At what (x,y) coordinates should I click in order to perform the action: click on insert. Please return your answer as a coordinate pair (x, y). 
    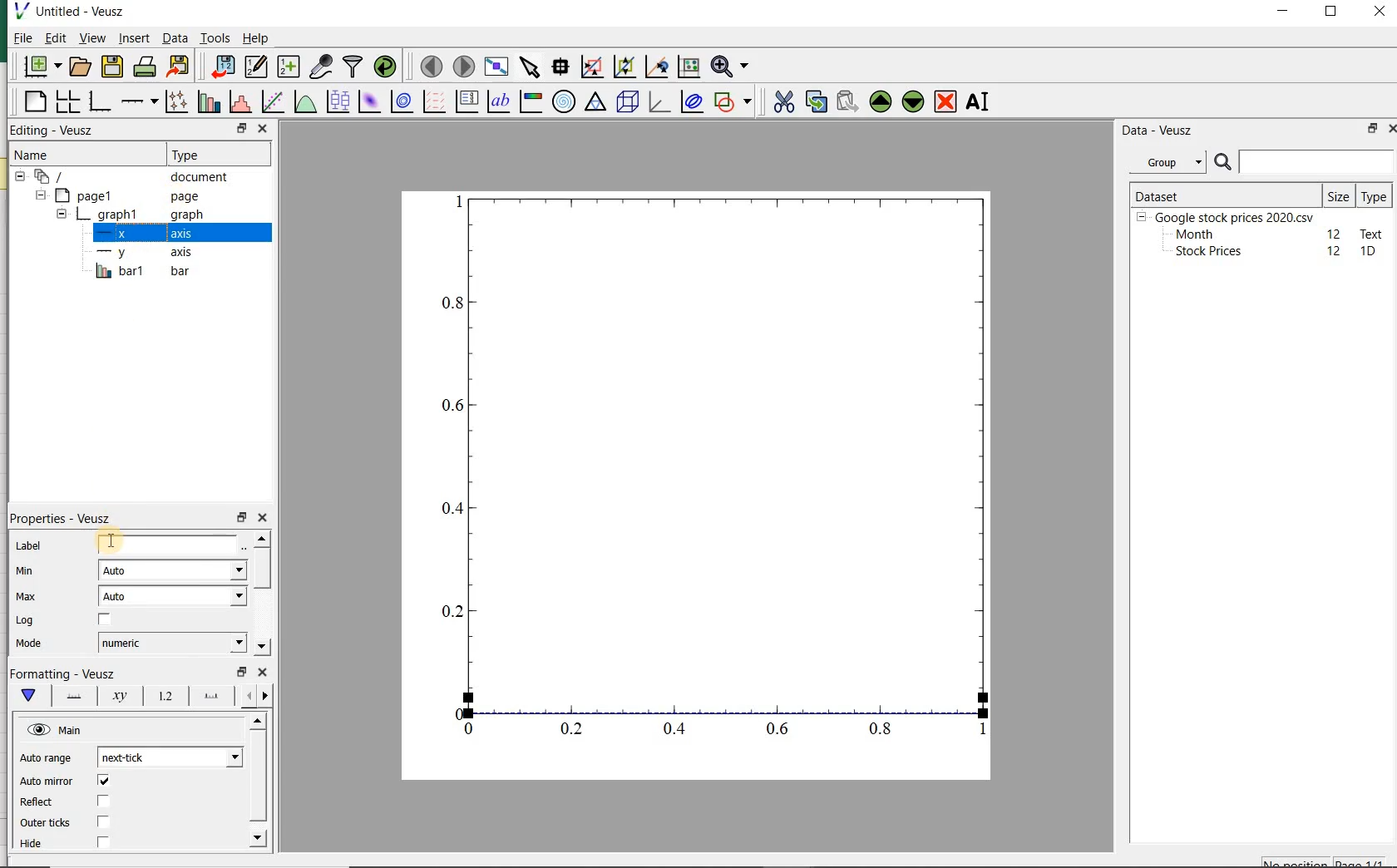
    Looking at the image, I should click on (134, 39).